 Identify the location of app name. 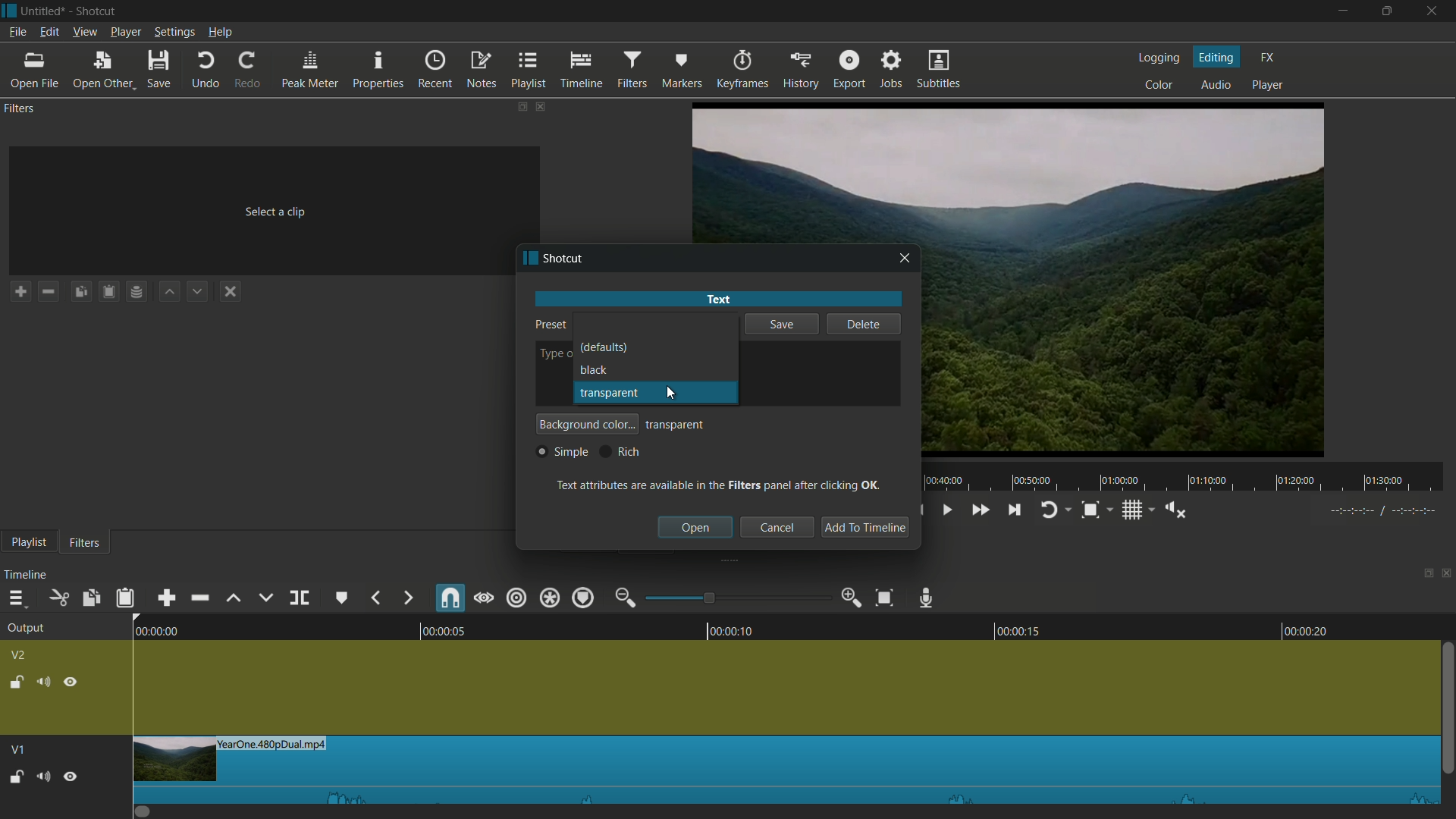
(566, 259).